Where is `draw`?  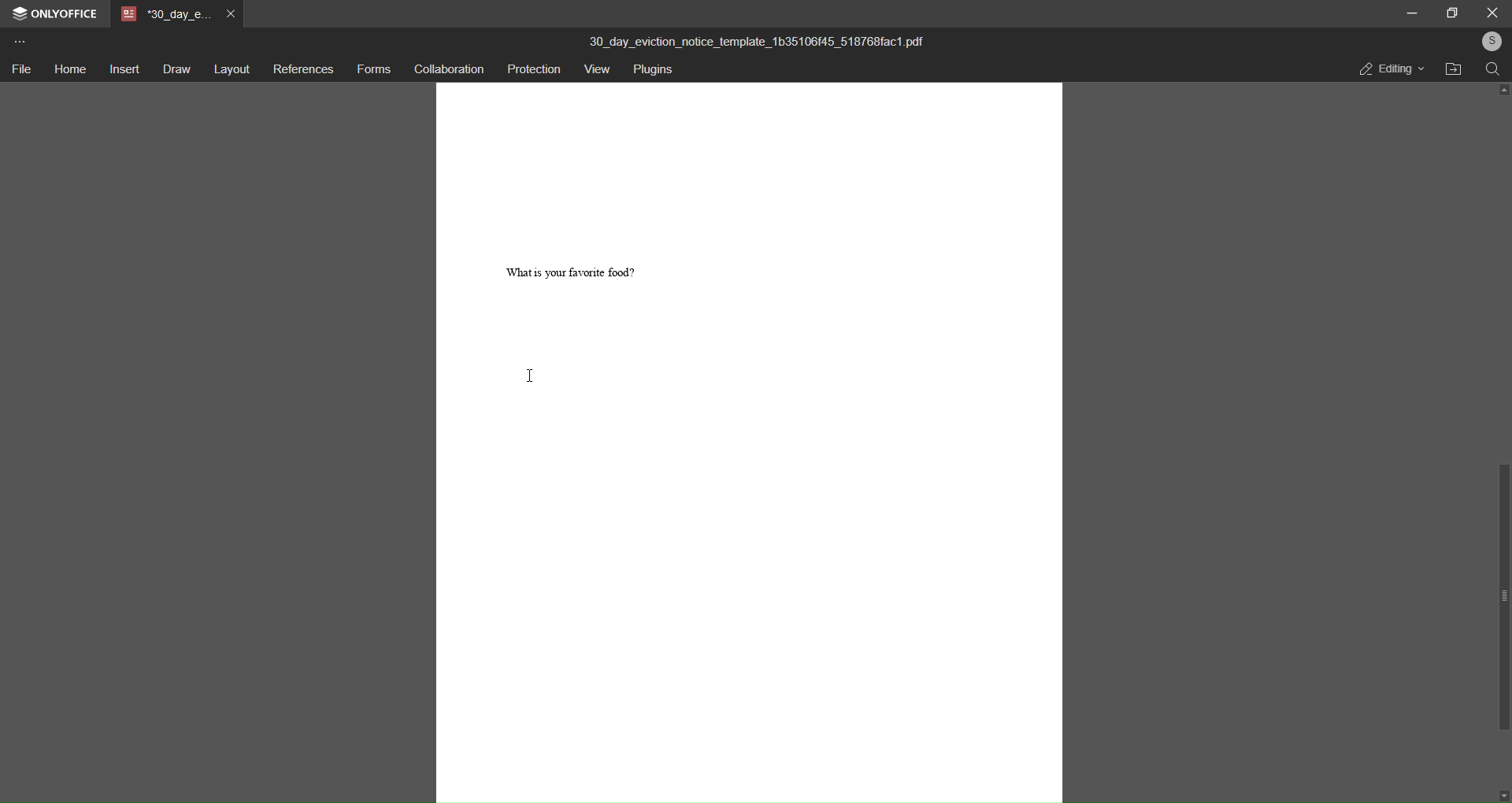 draw is located at coordinates (176, 70).